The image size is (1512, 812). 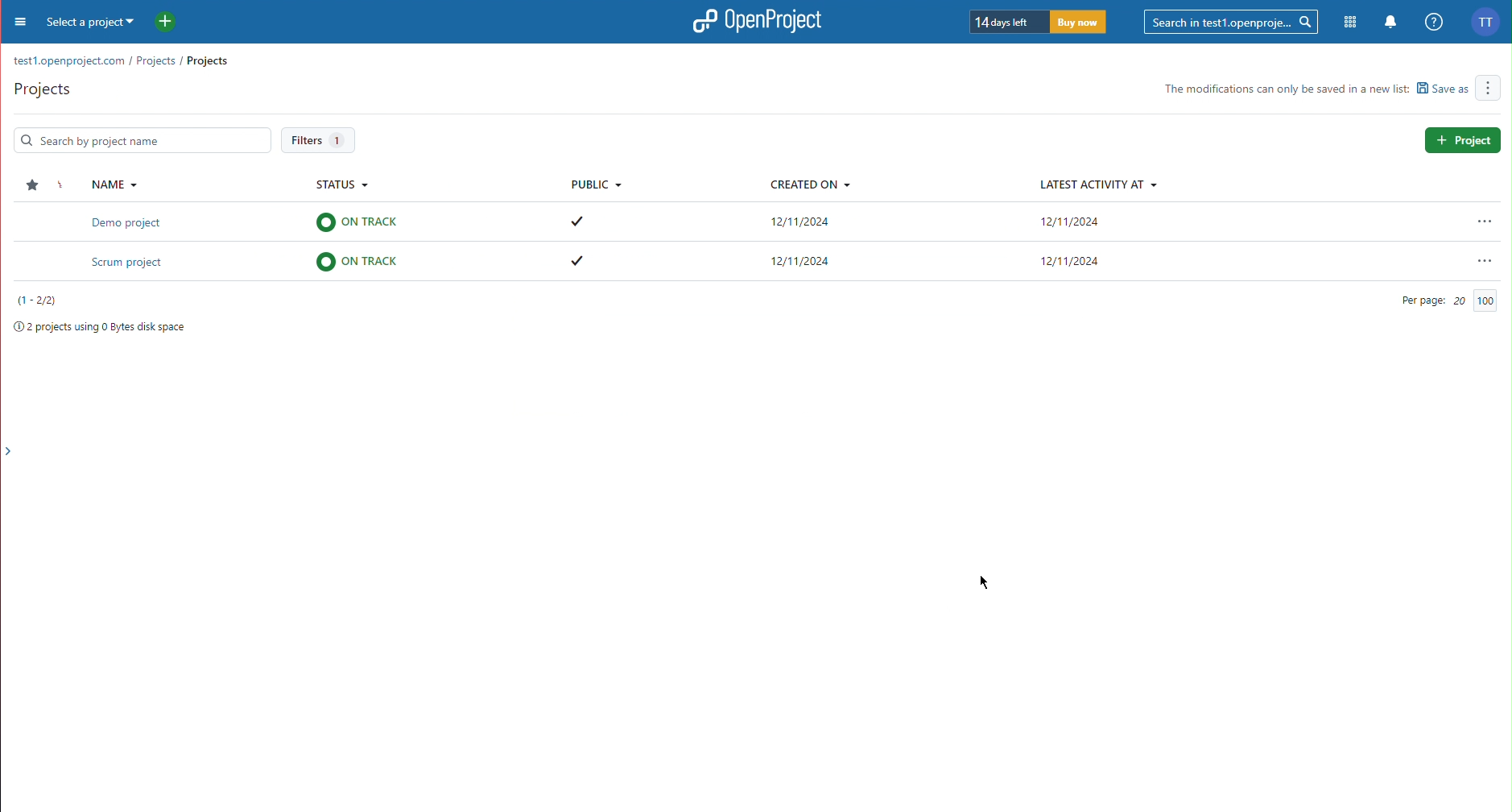 I want to click on Demo project, so click(x=786, y=223).